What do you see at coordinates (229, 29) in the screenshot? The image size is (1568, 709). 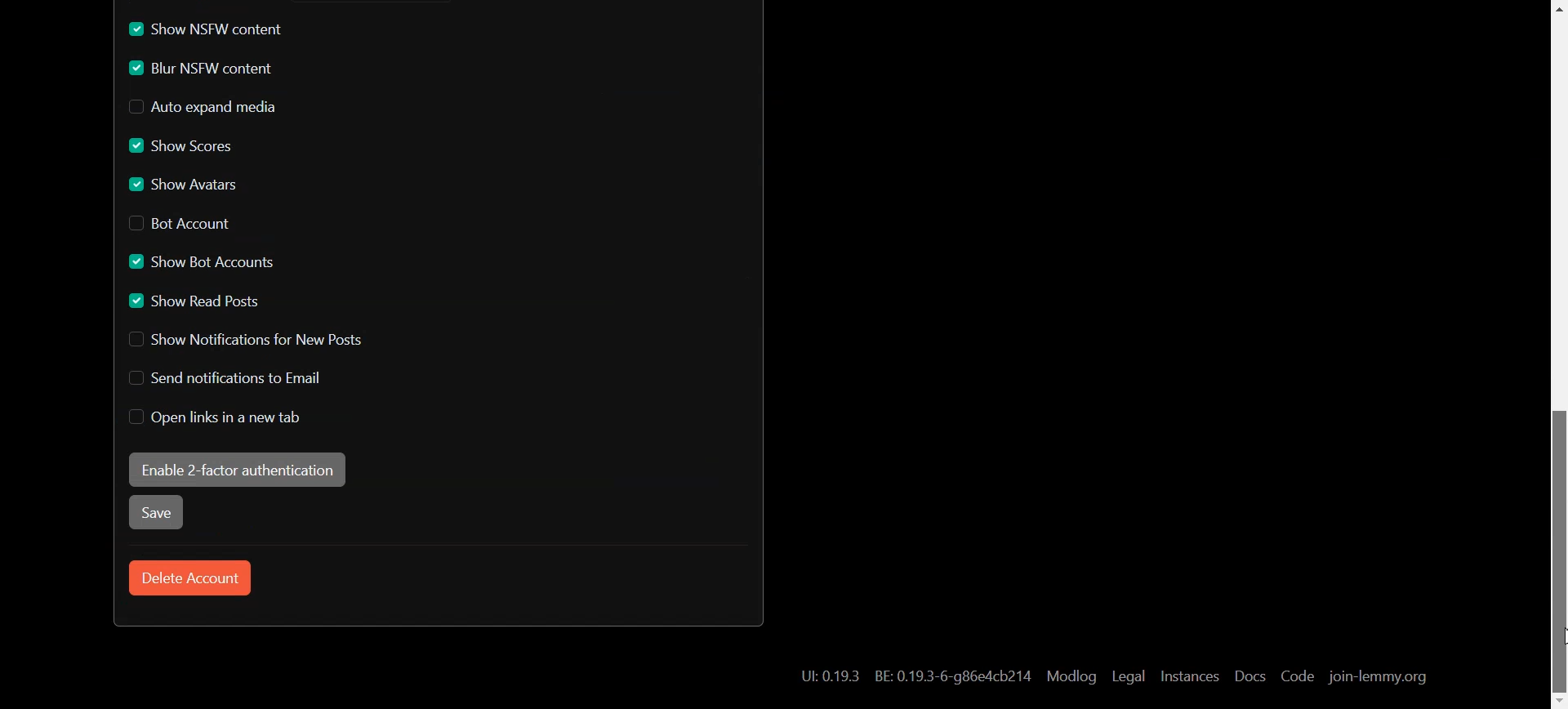 I see `Enable Show NSFW content` at bounding box center [229, 29].